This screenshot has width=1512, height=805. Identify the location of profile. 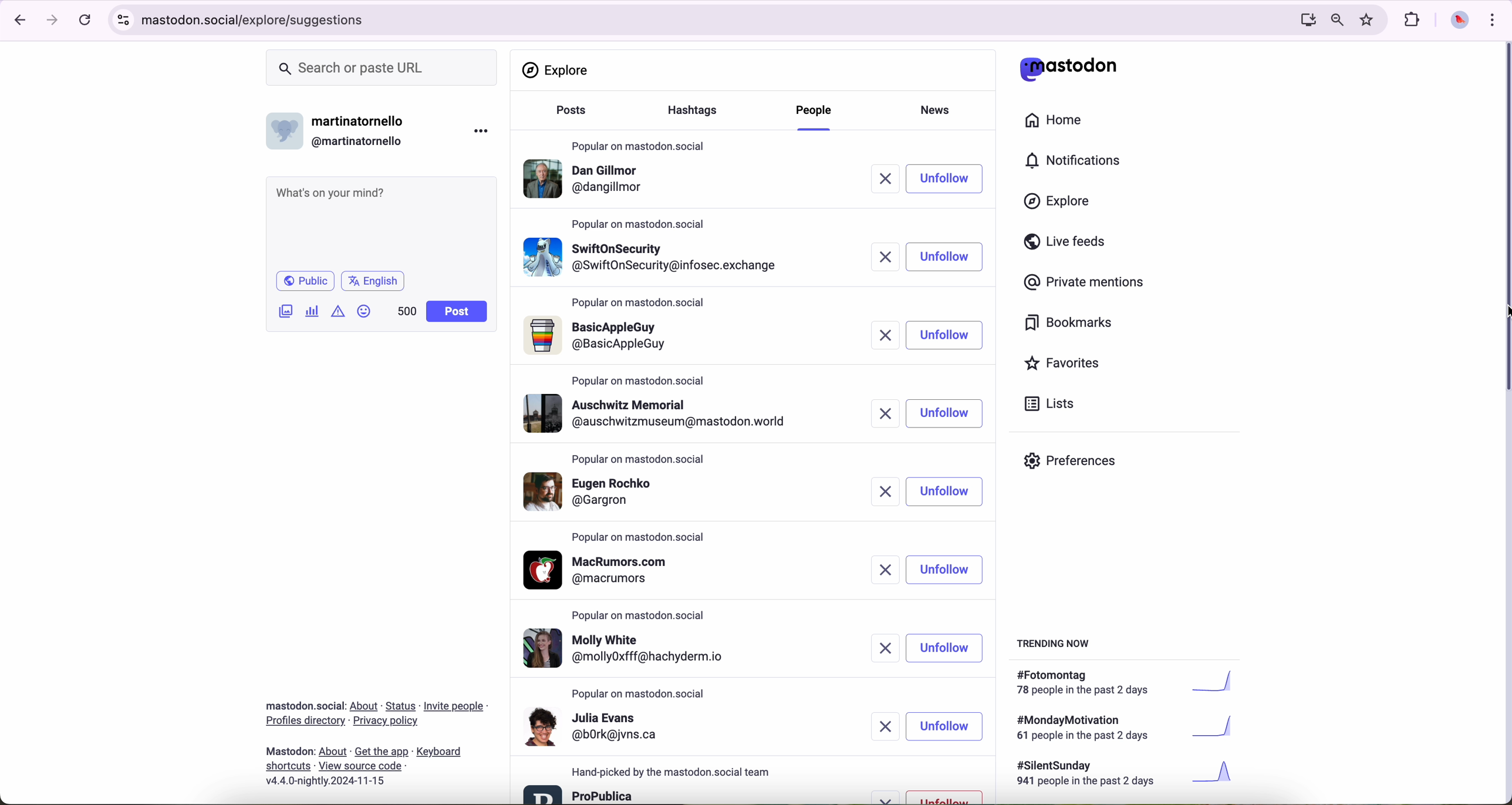
(588, 181).